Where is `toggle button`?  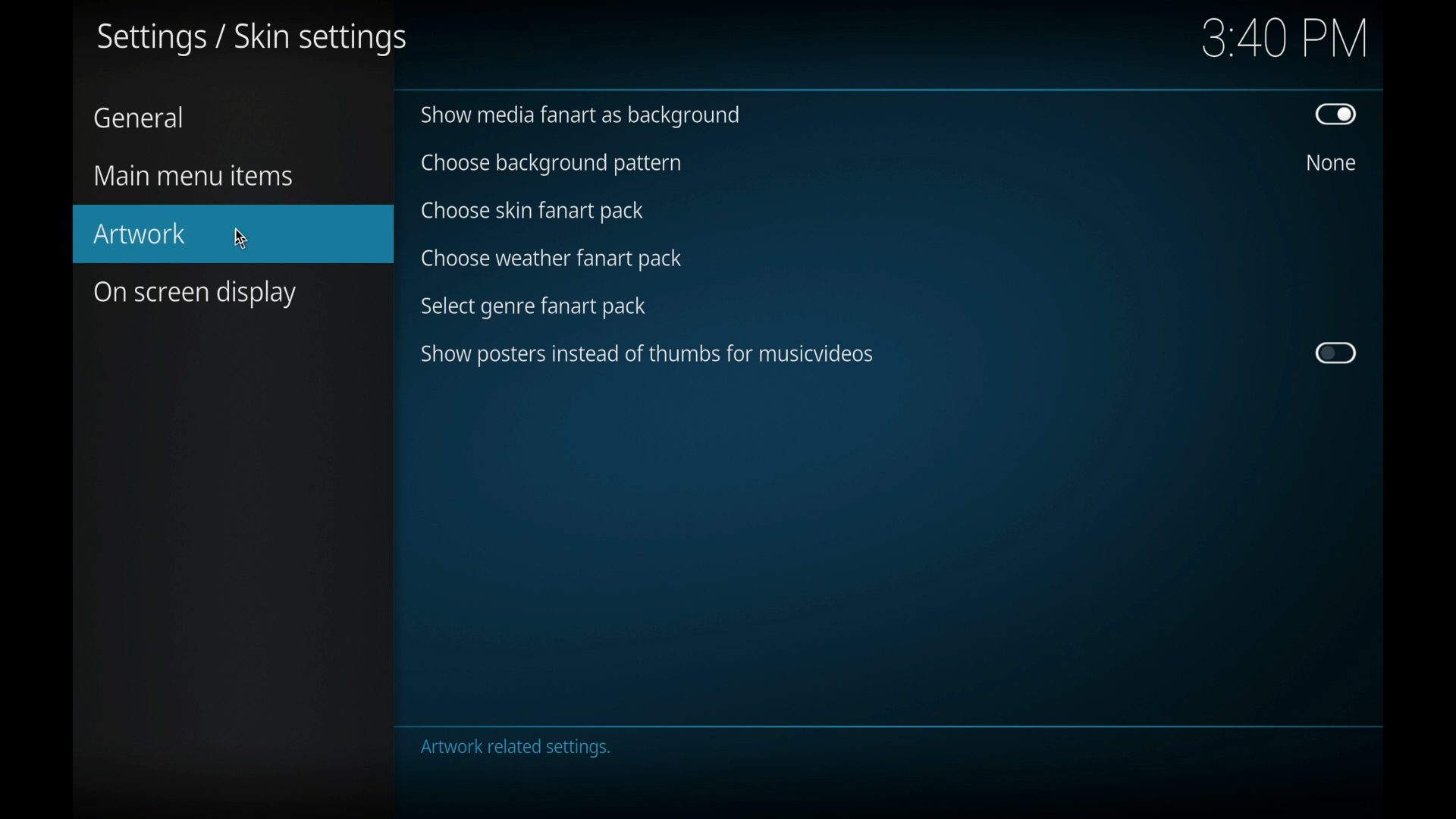
toggle button is located at coordinates (1336, 353).